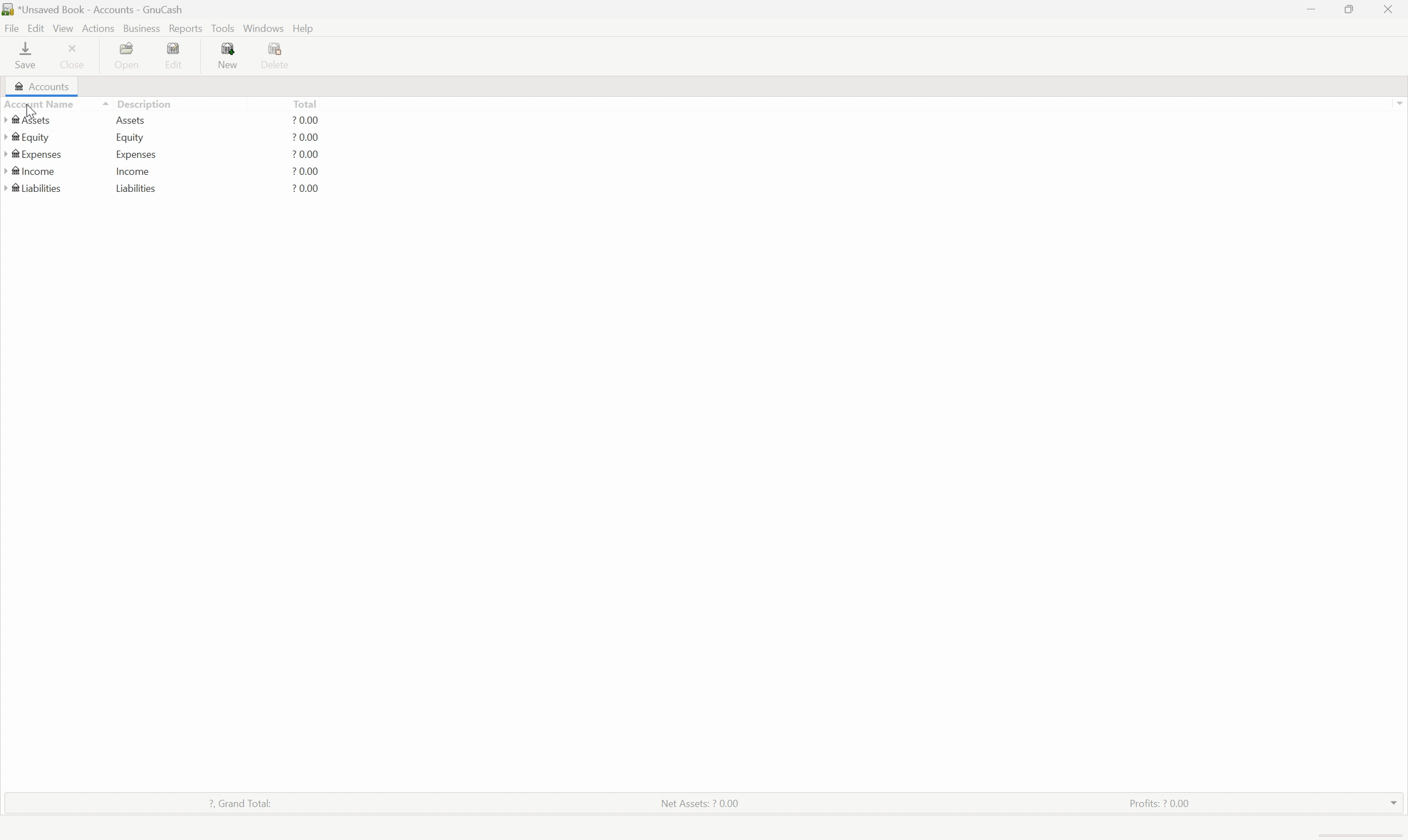 The image size is (1408, 840). What do you see at coordinates (1399, 102) in the screenshot?
I see `Scroll up` at bounding box center [1399, 102].